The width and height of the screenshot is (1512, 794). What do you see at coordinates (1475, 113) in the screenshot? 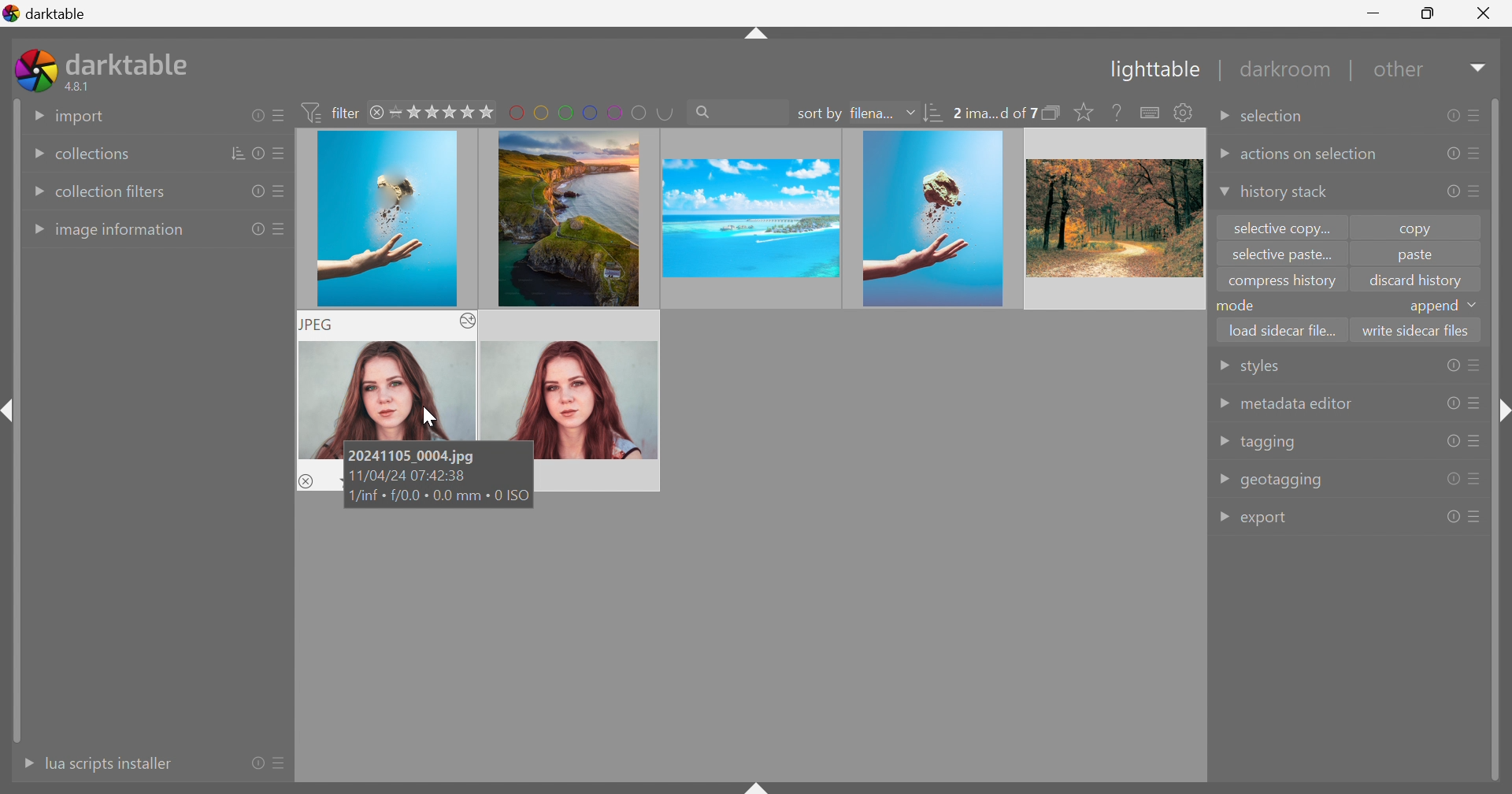
I see `presets` at bounding box center [1475, 113].